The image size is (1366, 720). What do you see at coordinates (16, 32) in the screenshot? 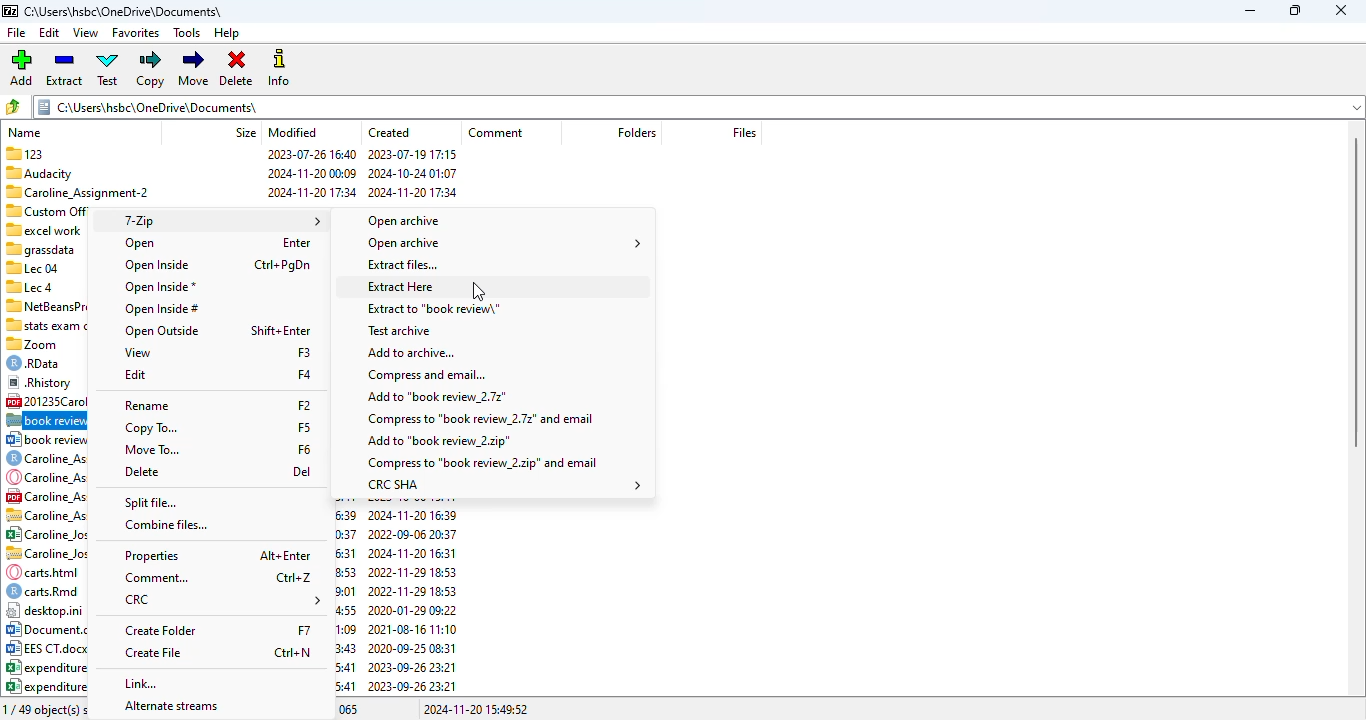
I see `file` at bounding box center [16, 32].